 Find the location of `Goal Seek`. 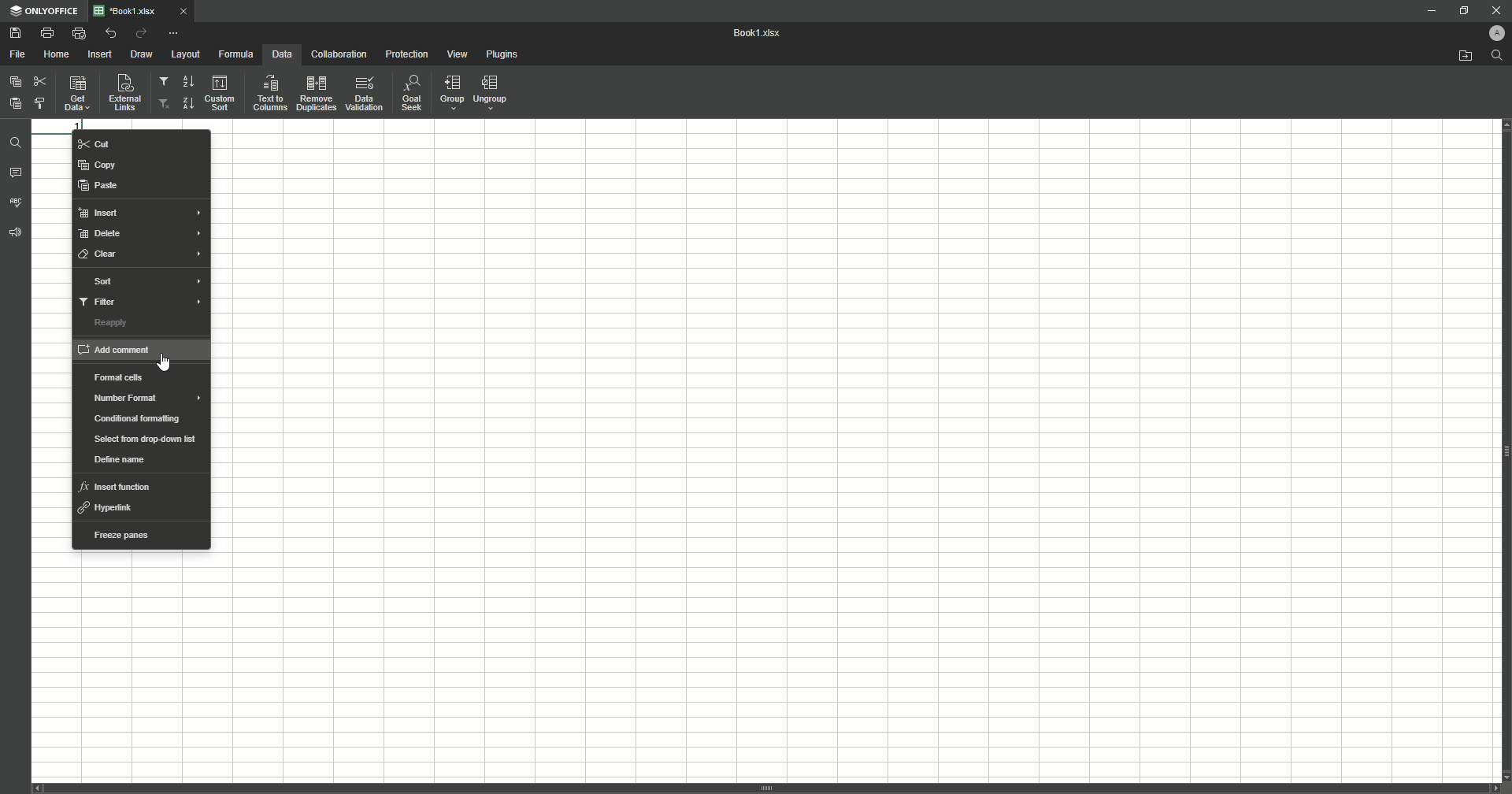

Goal Seek is located at coordinates (410, 95).